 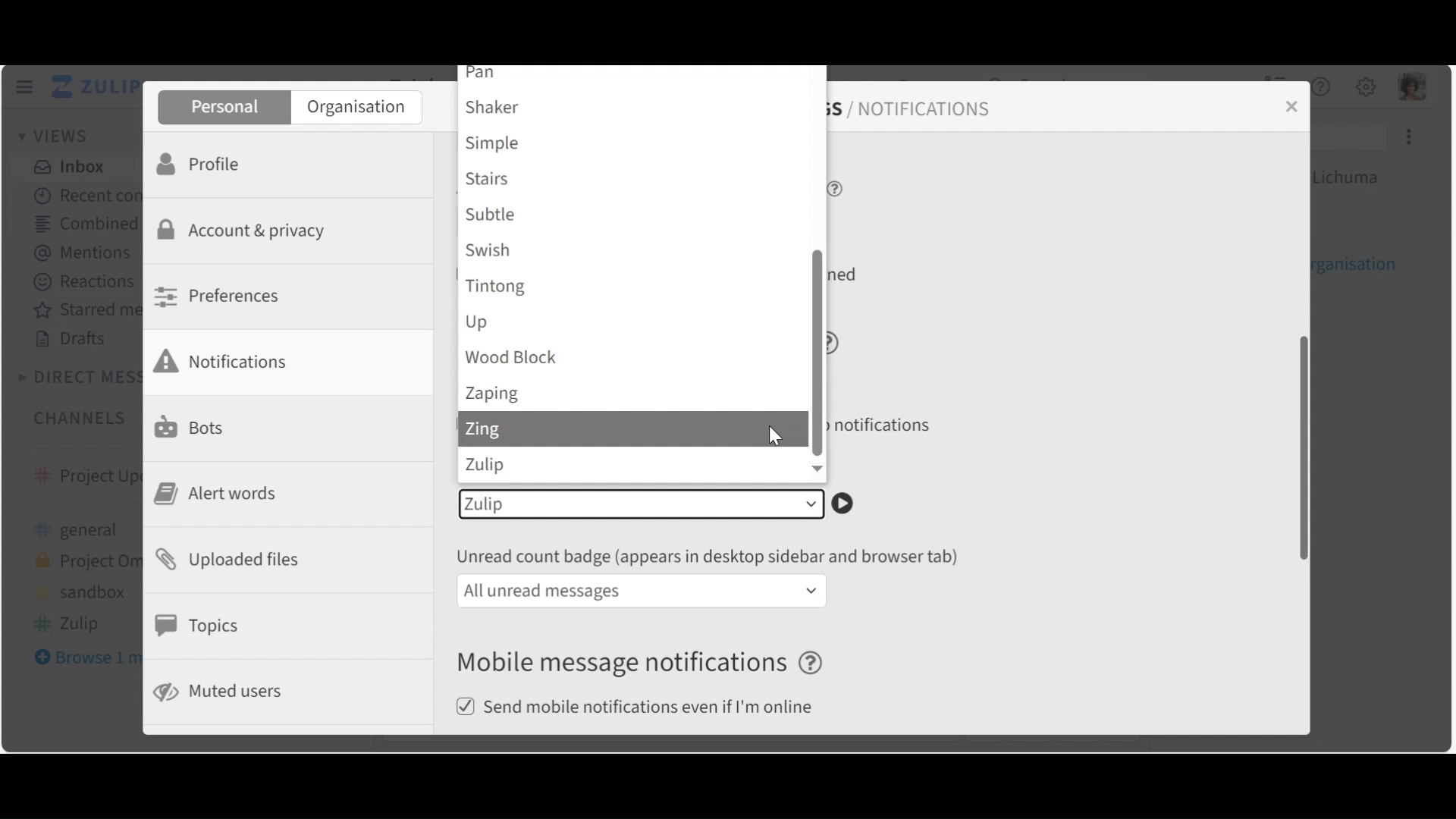 What do you see at coordinates (635, 358) in the screenshot?
I see `Wood Block` at bounding box center [635, 358].